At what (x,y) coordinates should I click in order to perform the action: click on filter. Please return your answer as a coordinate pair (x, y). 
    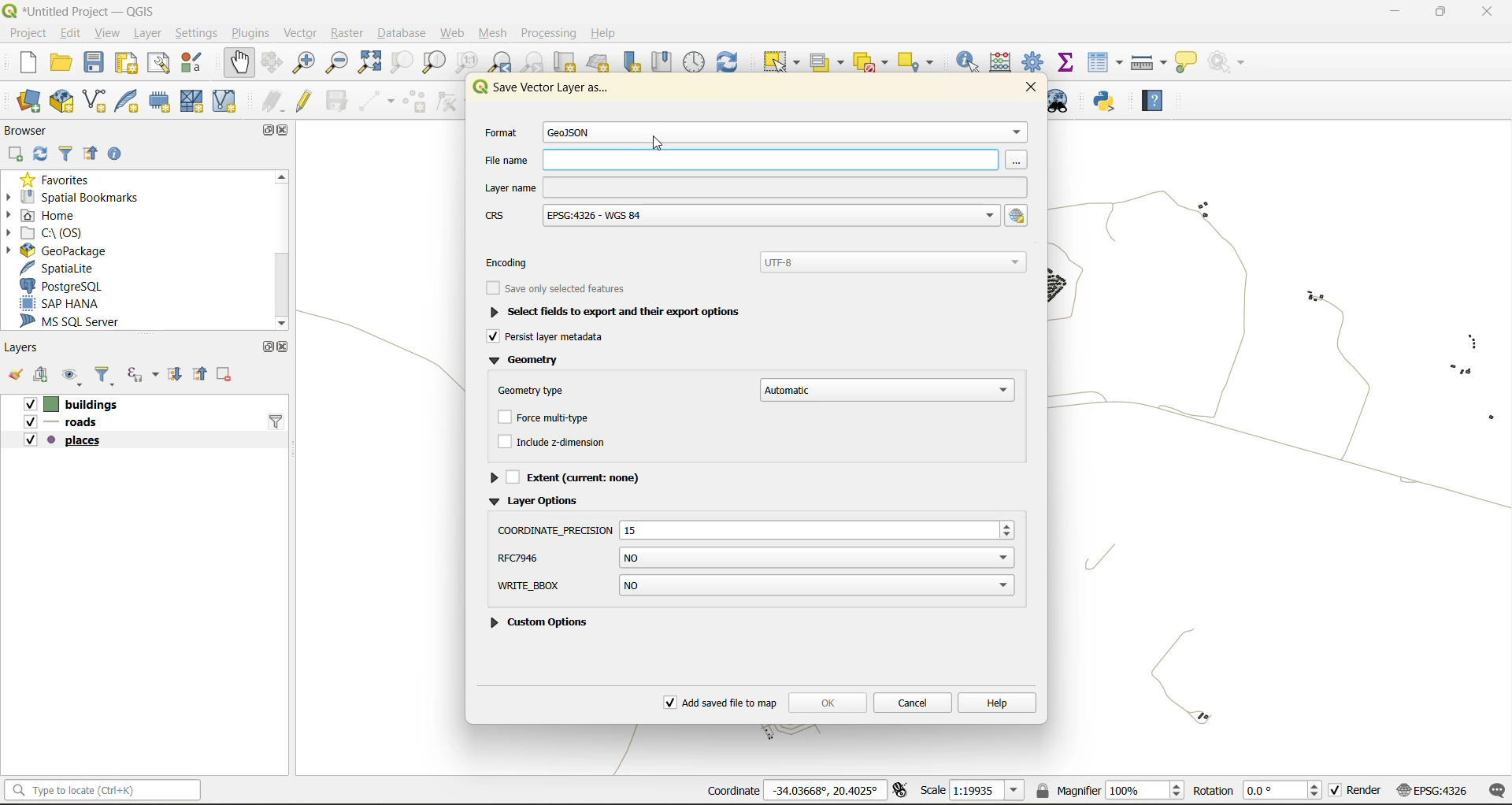
    Looking at the image, I should click on (107, 375).